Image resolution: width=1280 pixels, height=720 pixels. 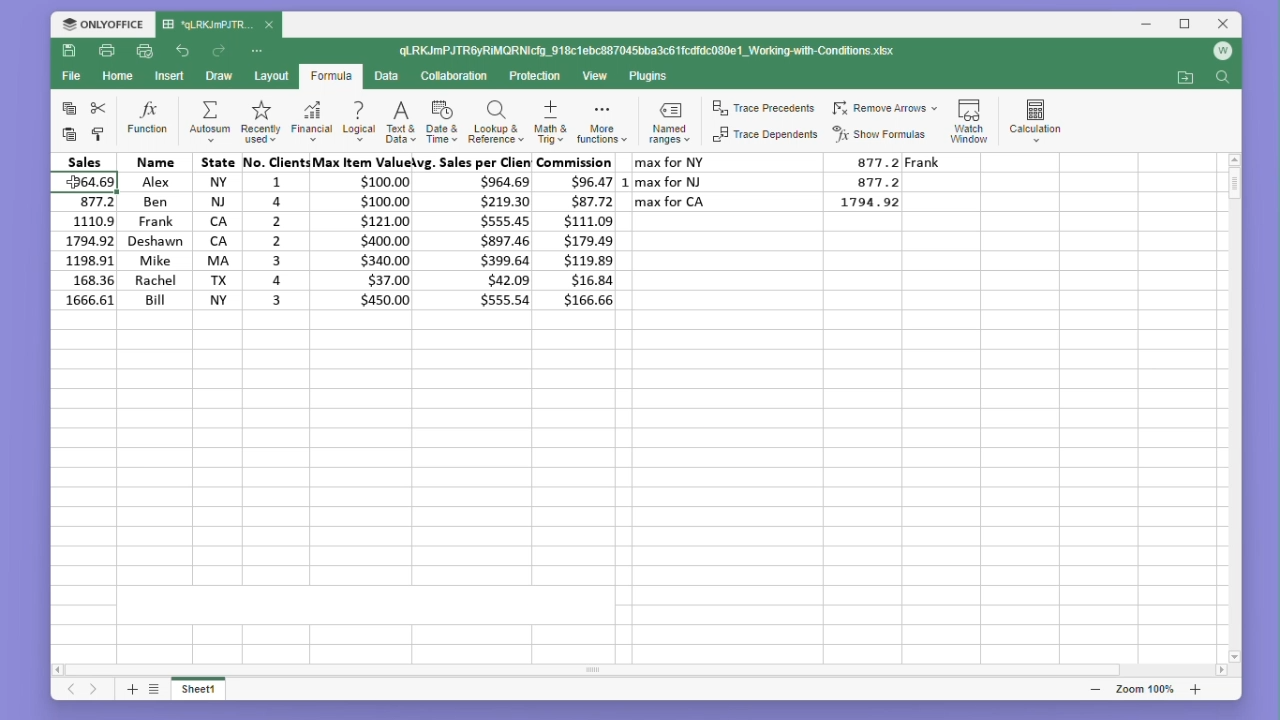 What do you see at coordinates (881, 135) in the screenshot?
I see `Show formulas` at bounding box center [881, 135].